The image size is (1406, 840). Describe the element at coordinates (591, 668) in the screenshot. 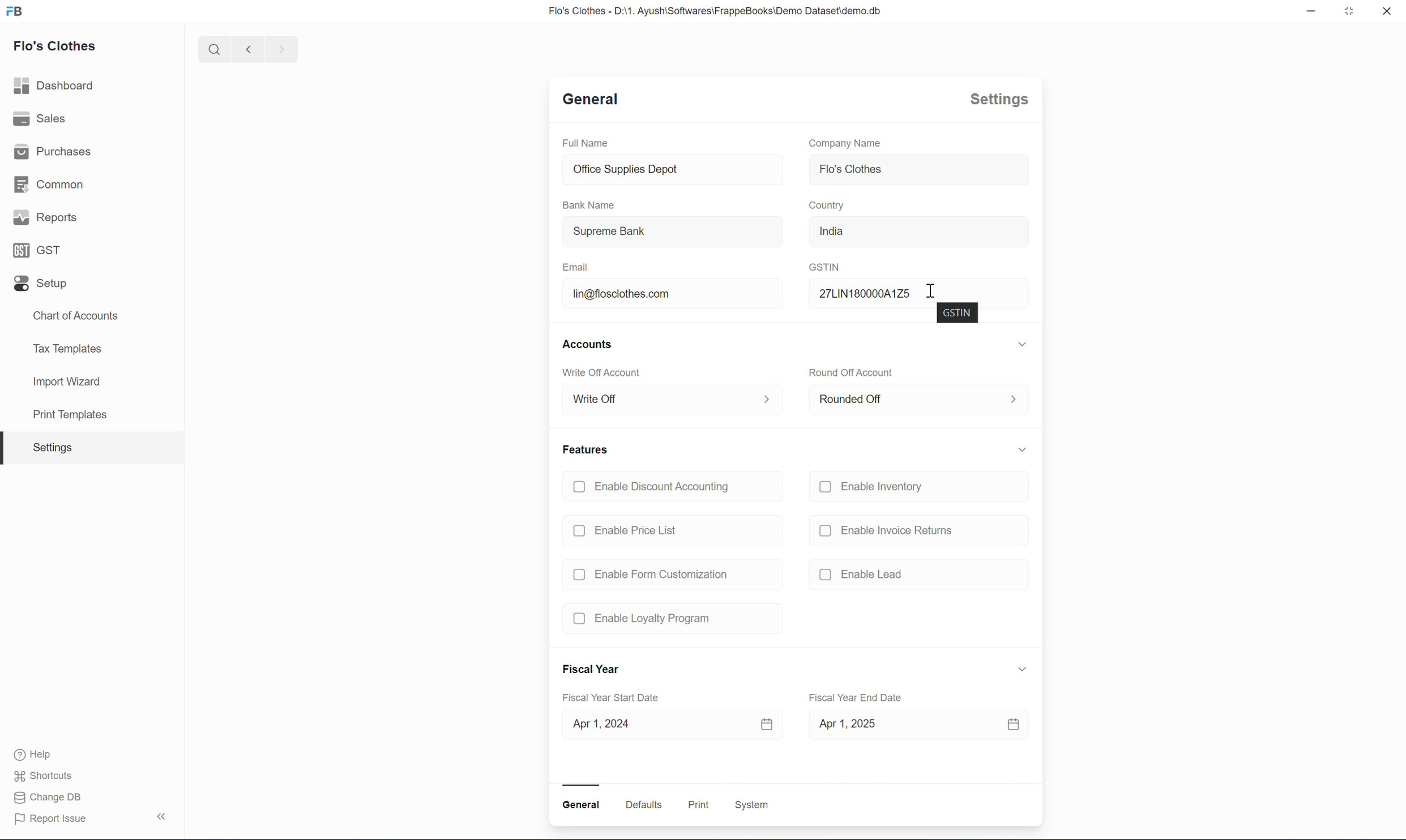

I see `Fiscal Year` at that location.